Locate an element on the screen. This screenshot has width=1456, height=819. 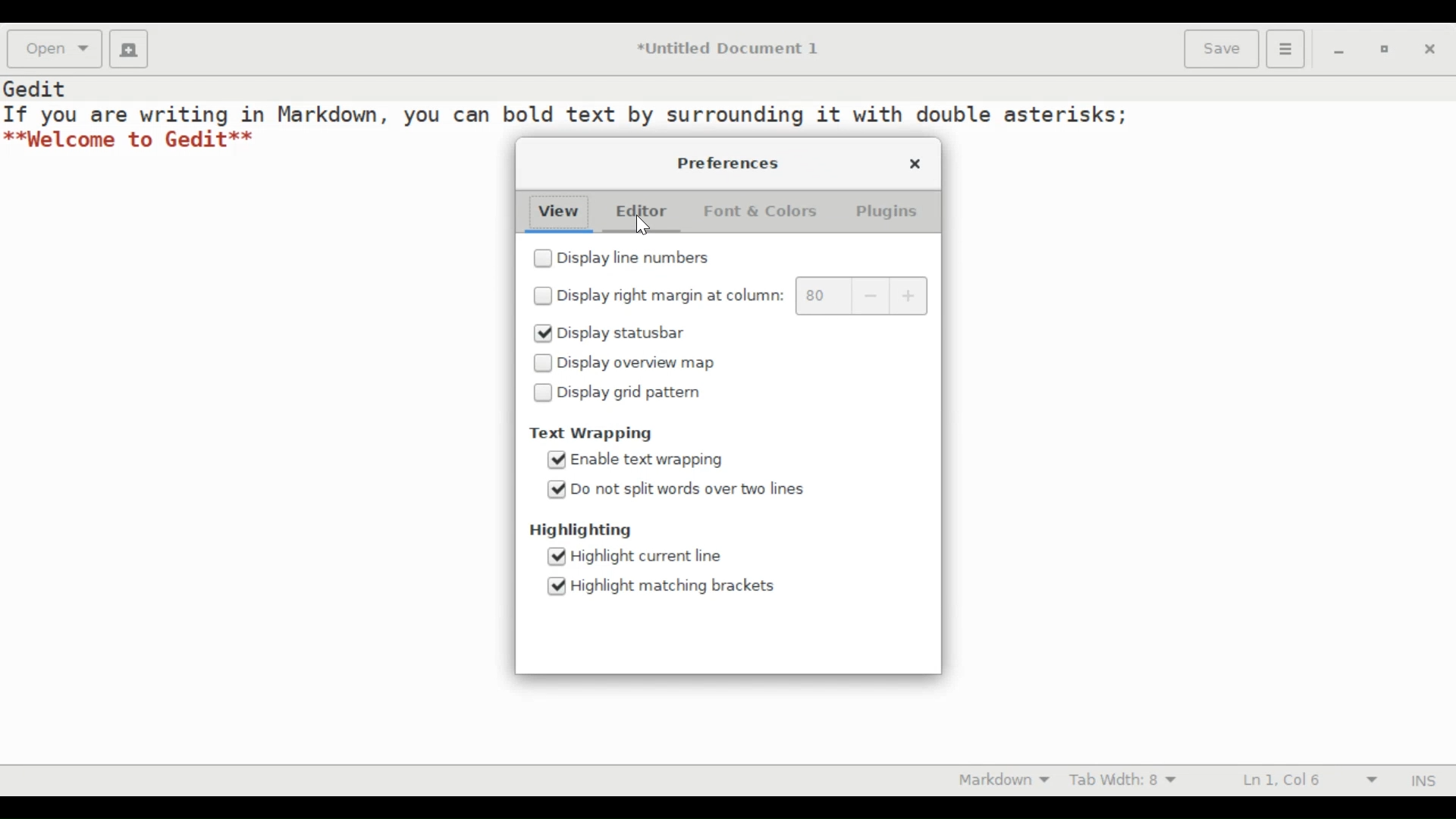
Highlight Current line is located at coordinates (651, 555).